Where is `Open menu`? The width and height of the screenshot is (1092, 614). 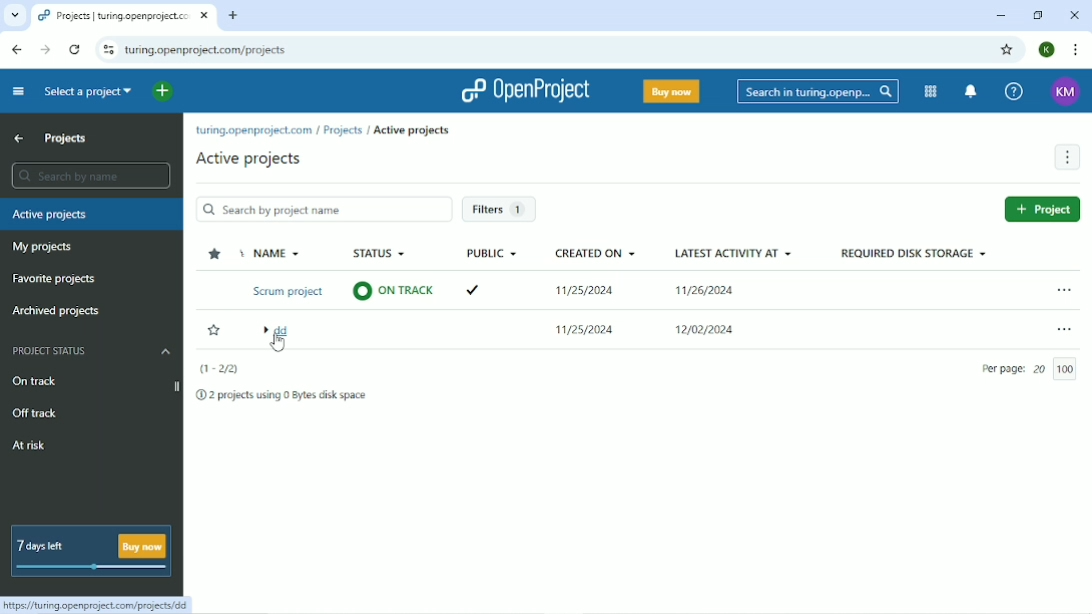 Open menu is located at coordinates (1063, 292).